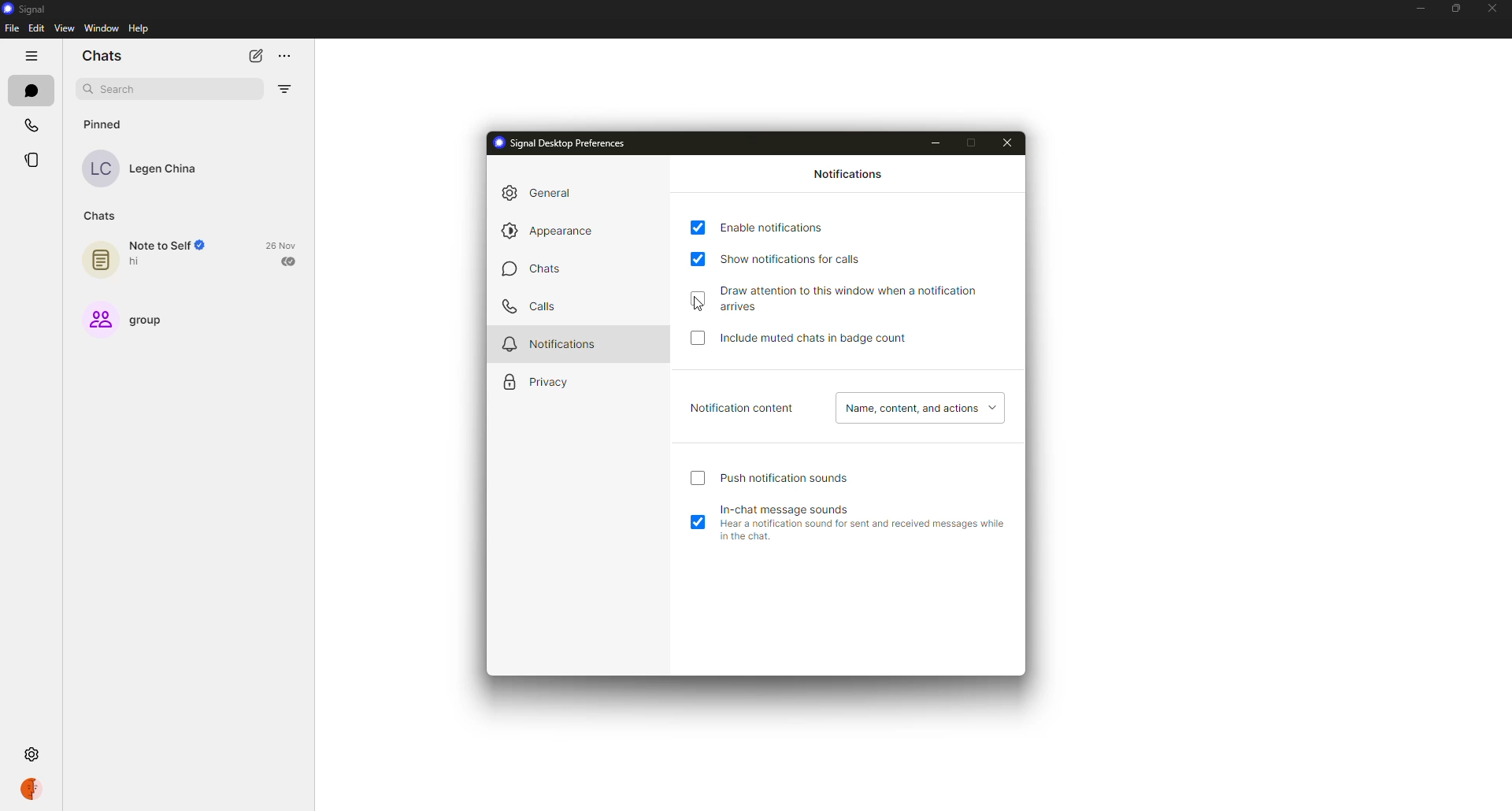  Describe the element at coordinates (257, 56) in the screenshot. I see `new chat` at that location.